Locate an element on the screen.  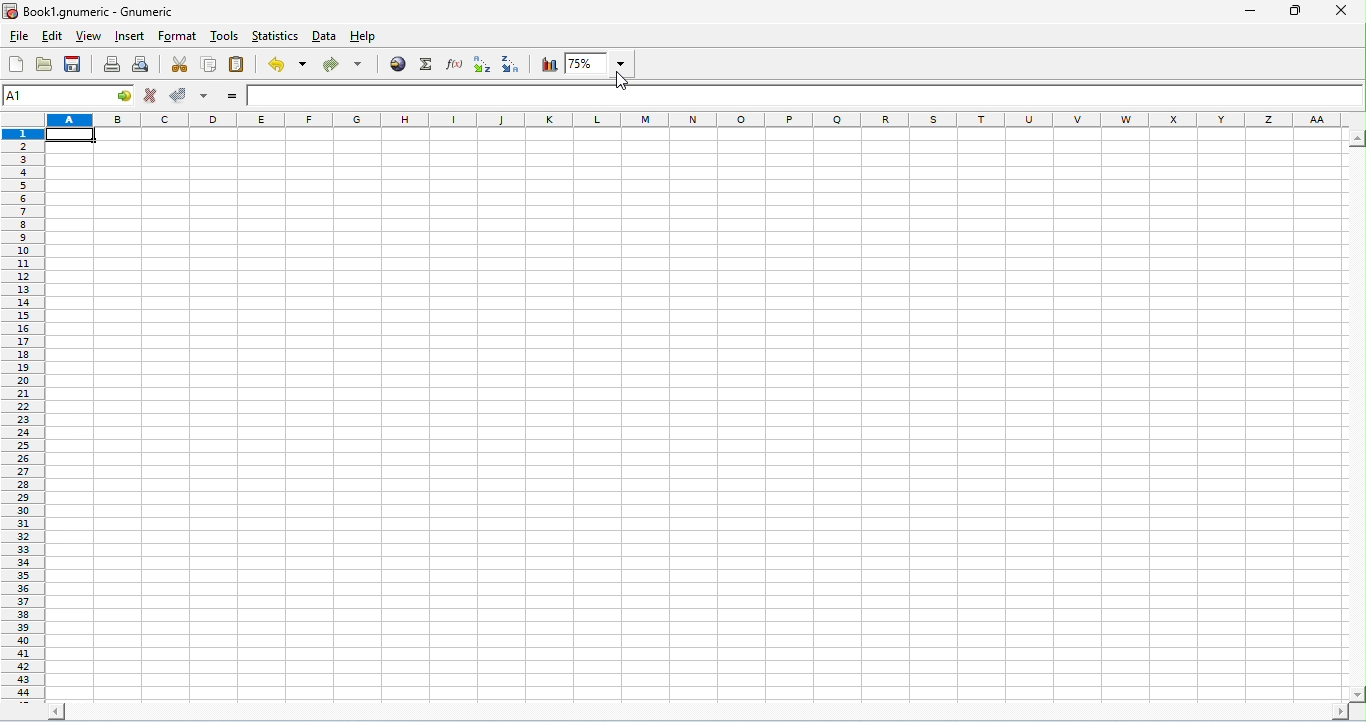
cell options is located at coordinates (125, 95).